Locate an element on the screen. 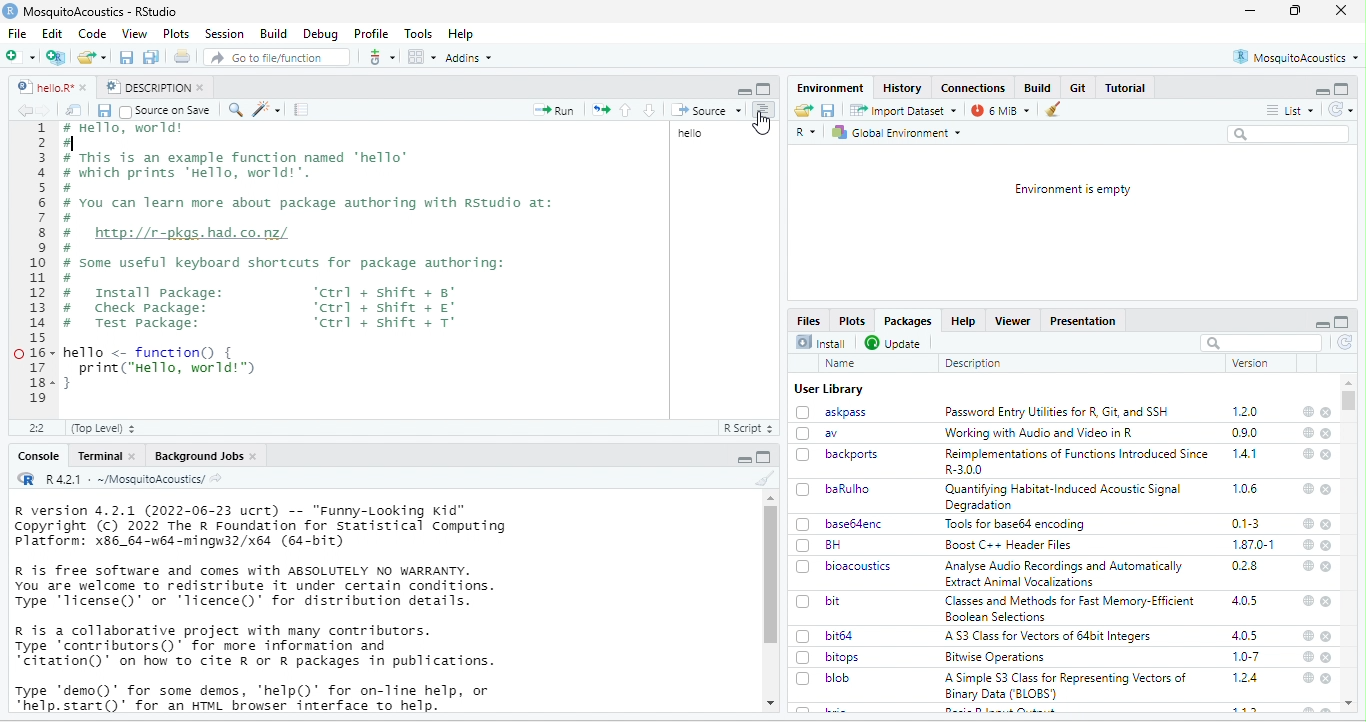  Password Entry Utilities for R. Git. and SSH is located at coordinates (1058, 412).